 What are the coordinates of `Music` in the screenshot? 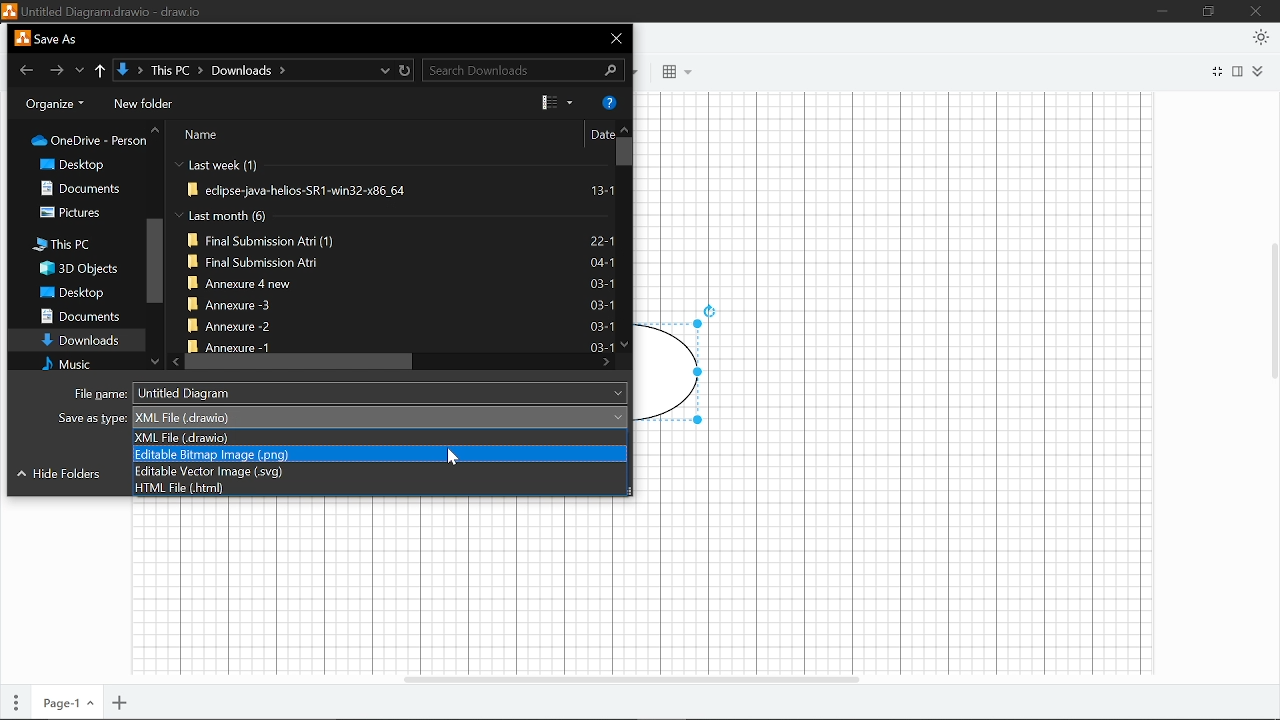 It's located at (71, 366).